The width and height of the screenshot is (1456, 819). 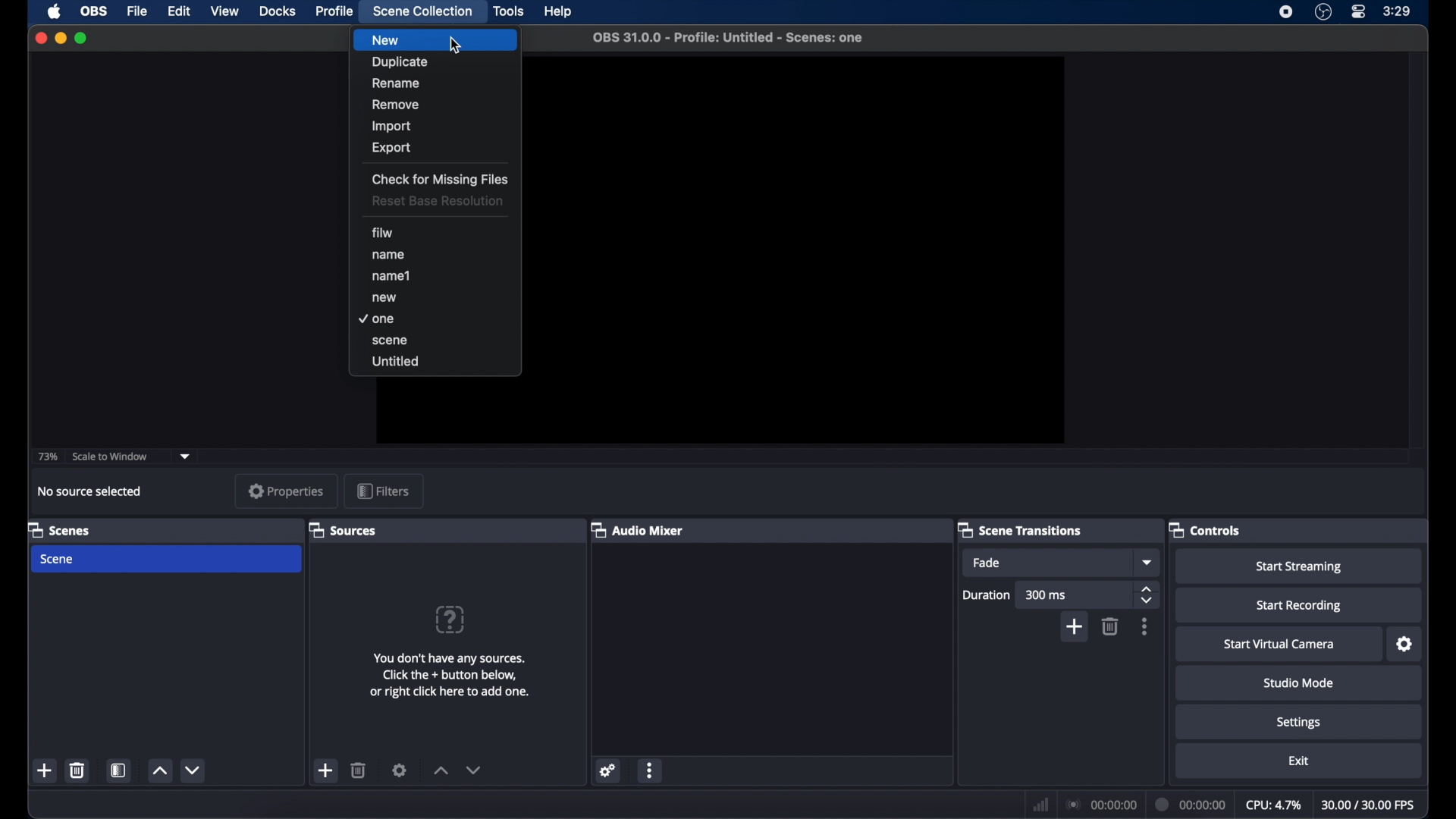 I want to click on scene collection, so click(x=423, y=11).